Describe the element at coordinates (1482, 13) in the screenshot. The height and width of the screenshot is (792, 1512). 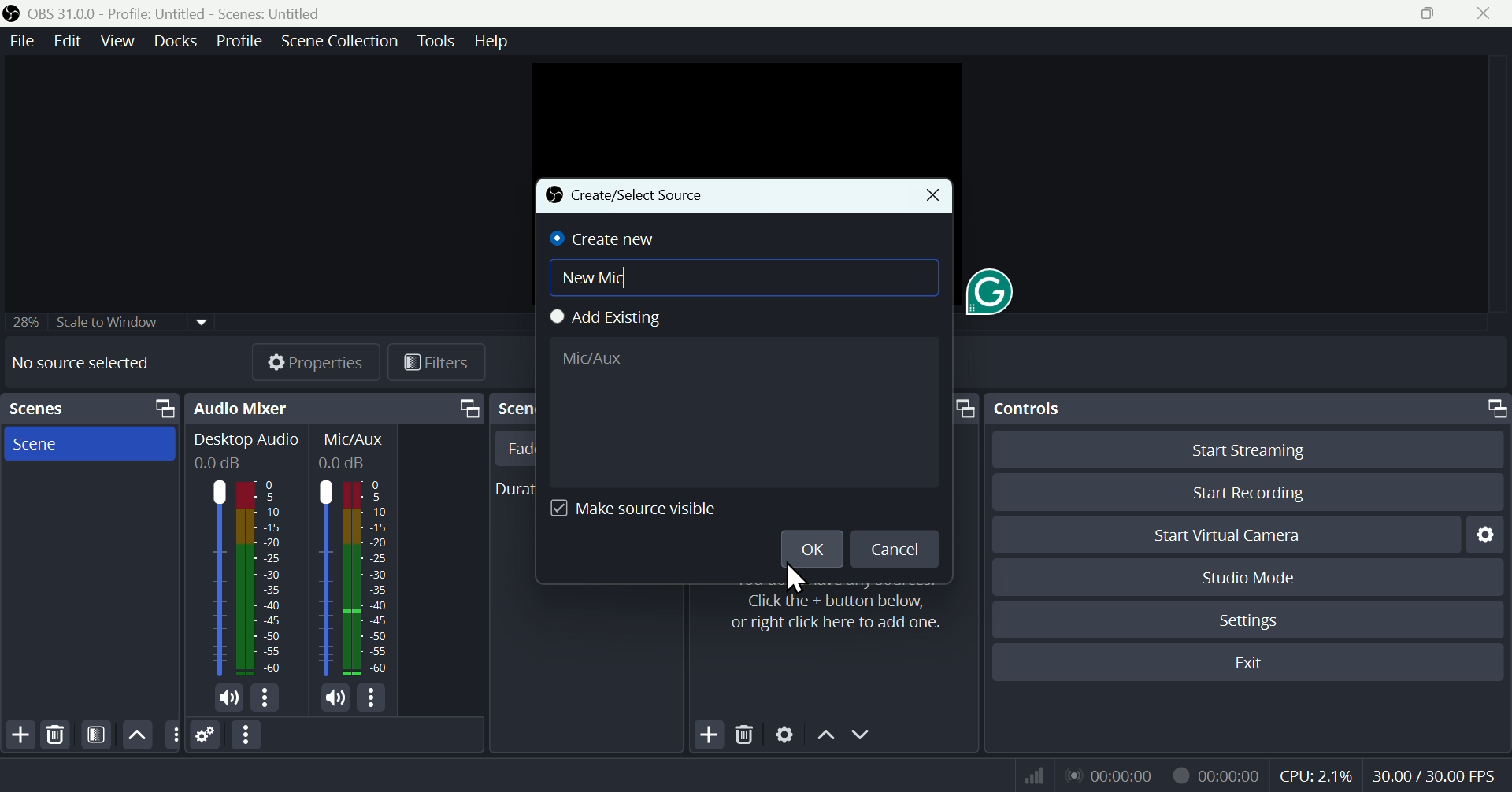
I see `Close` at that location.